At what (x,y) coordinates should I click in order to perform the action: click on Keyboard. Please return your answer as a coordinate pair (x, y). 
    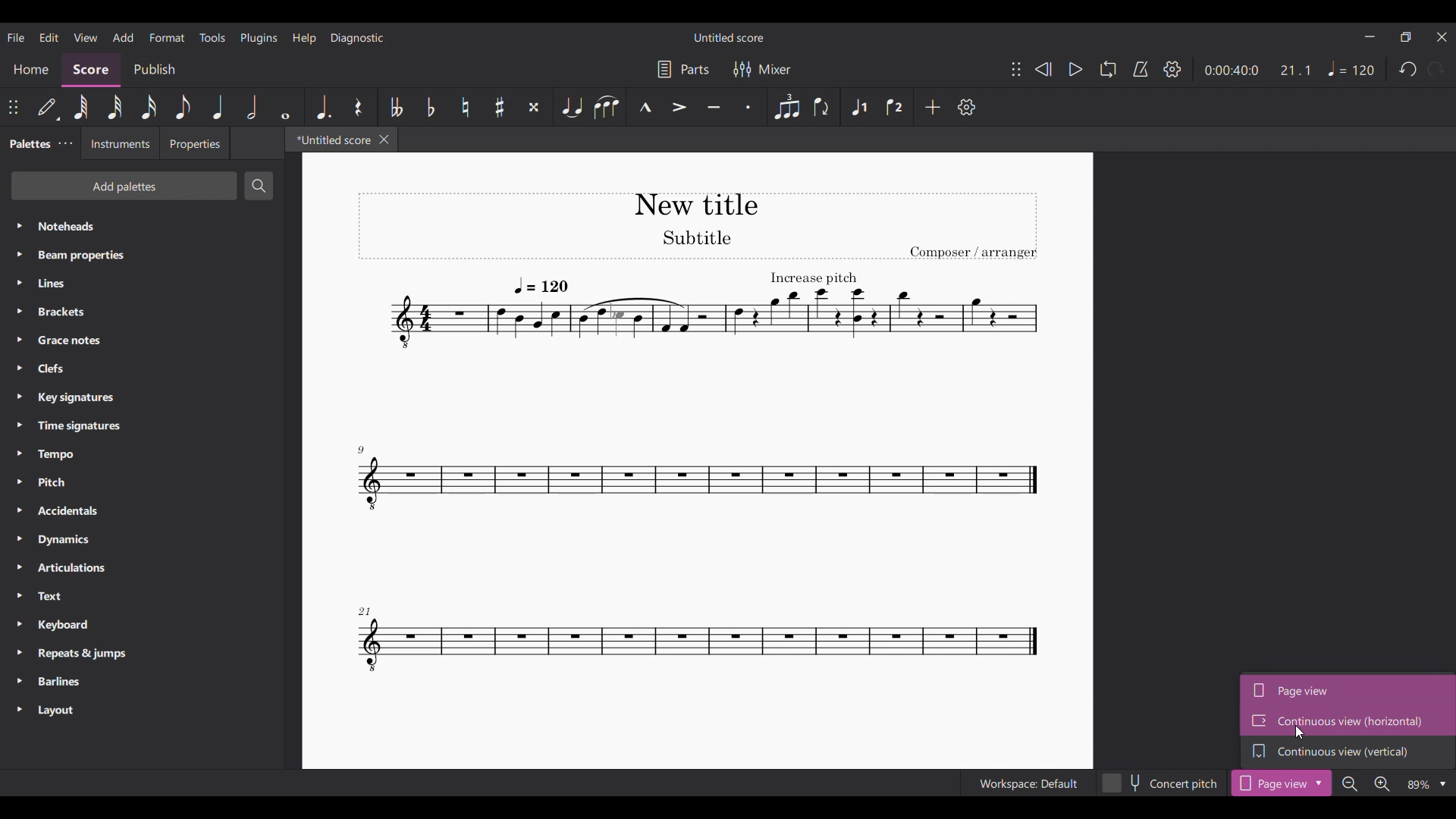
    Looking at the image, I should click on (140, 625).